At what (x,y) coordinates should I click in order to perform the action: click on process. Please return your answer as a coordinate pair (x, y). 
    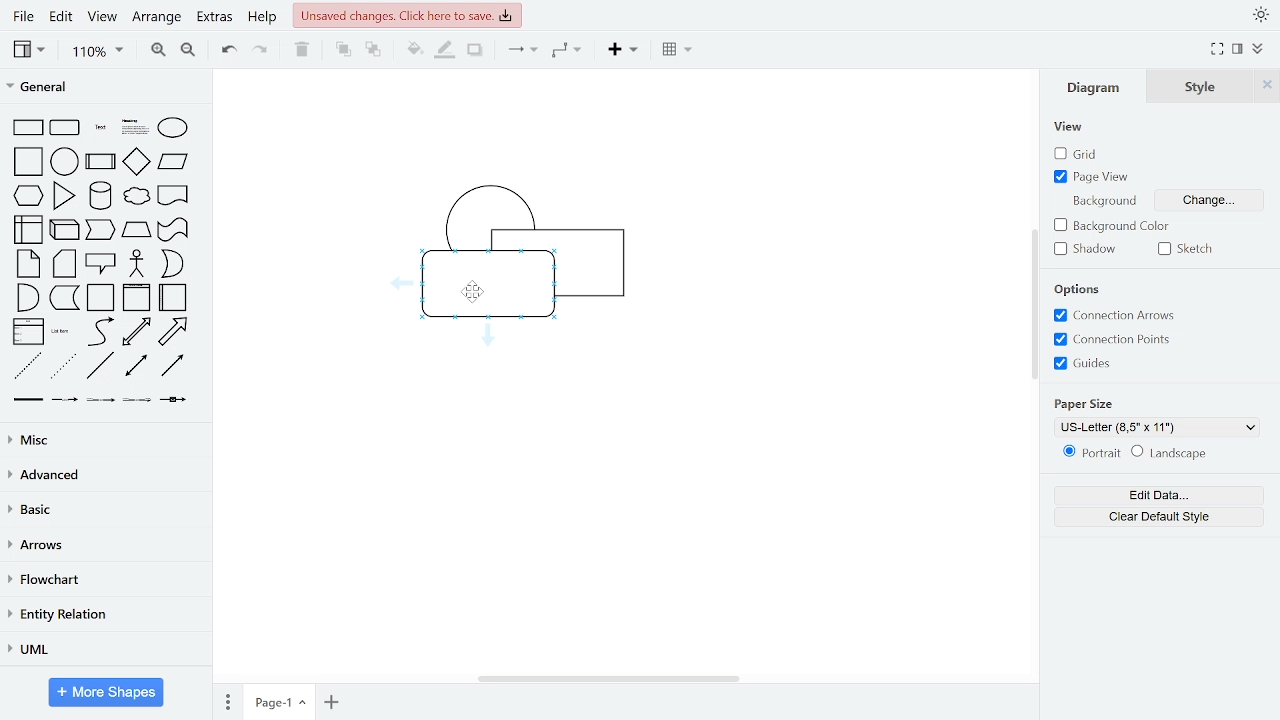
    Looking at the image, I should click on (100, 163).